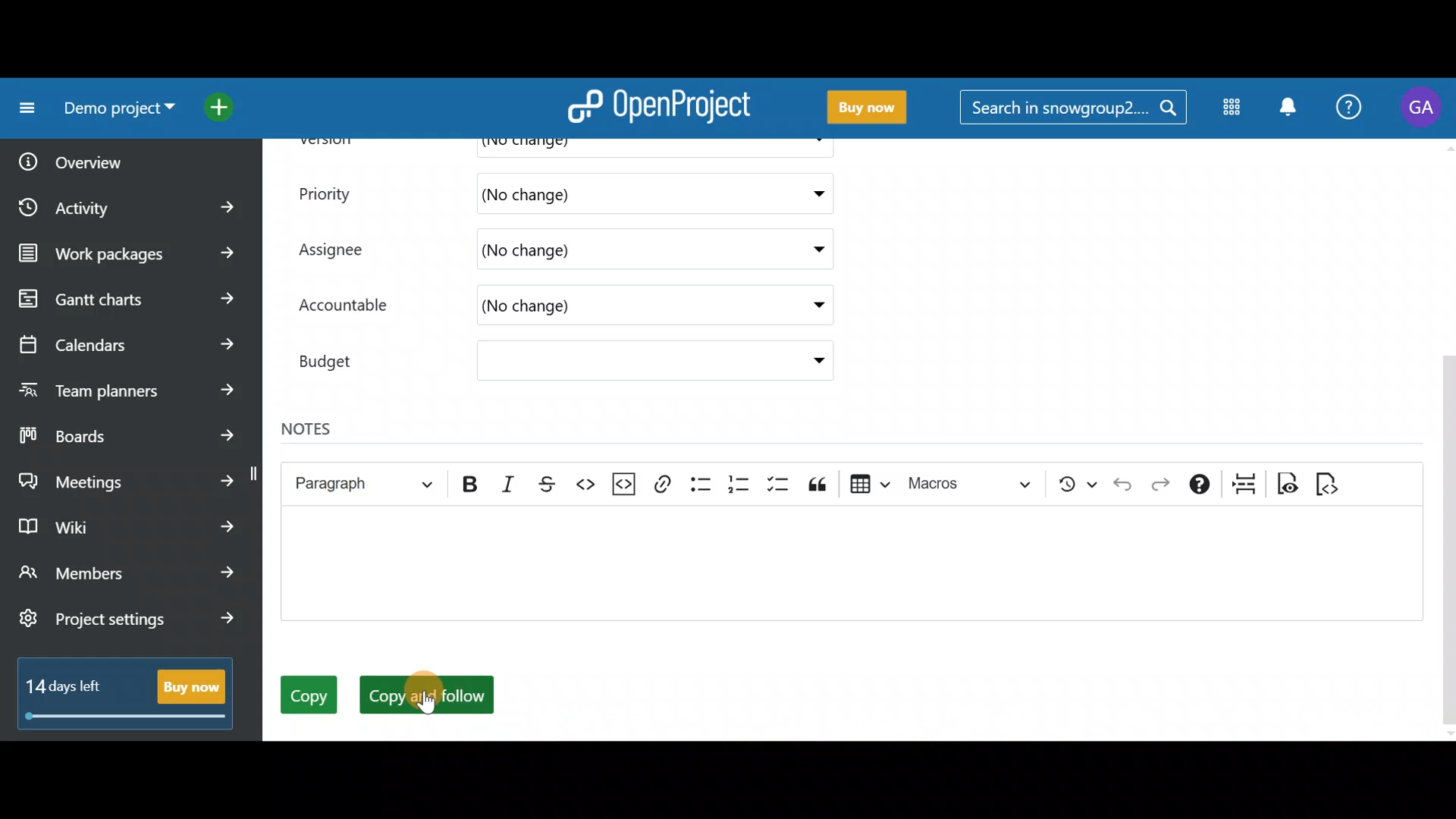 The height and width of the screenshot is (819, 1456). I want to click on Choose macro, so click(980, 483).